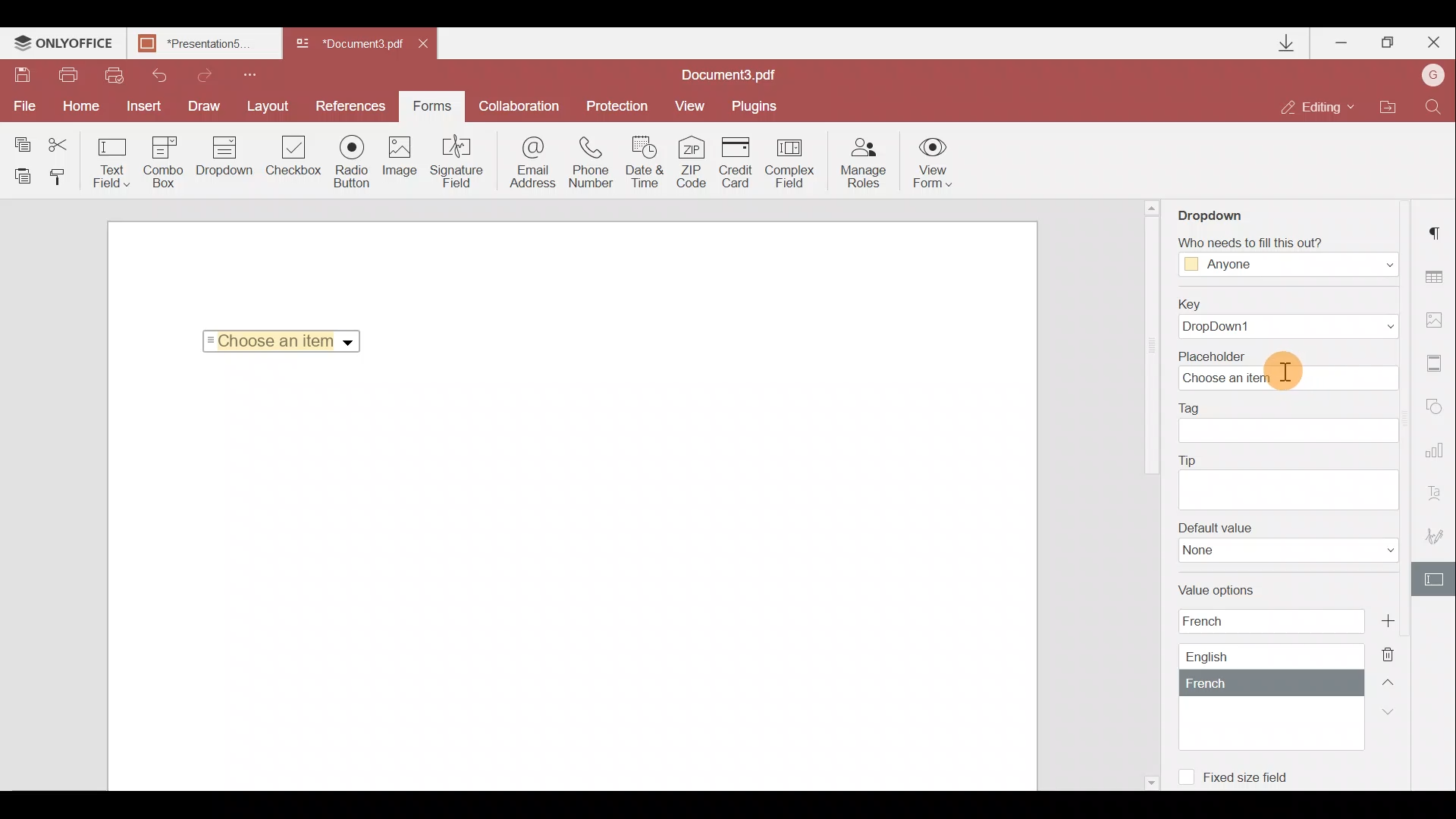 The image size is (1456, 819). I want to click on scroll bar, so click(1150, 348).